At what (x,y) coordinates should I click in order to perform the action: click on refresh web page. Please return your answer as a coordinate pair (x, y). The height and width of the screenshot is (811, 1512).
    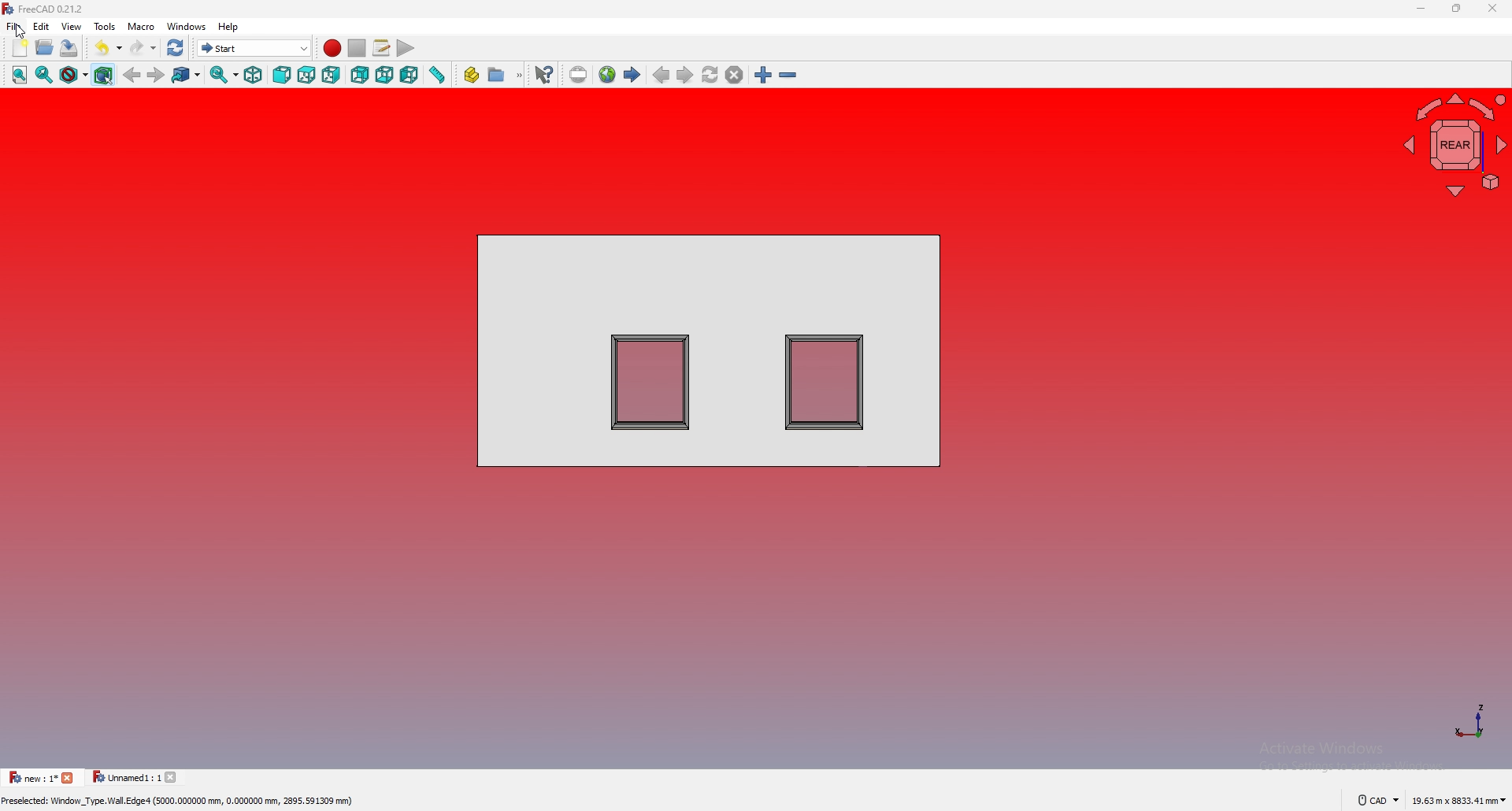
    Looking at the image, I should click on (710, 73).